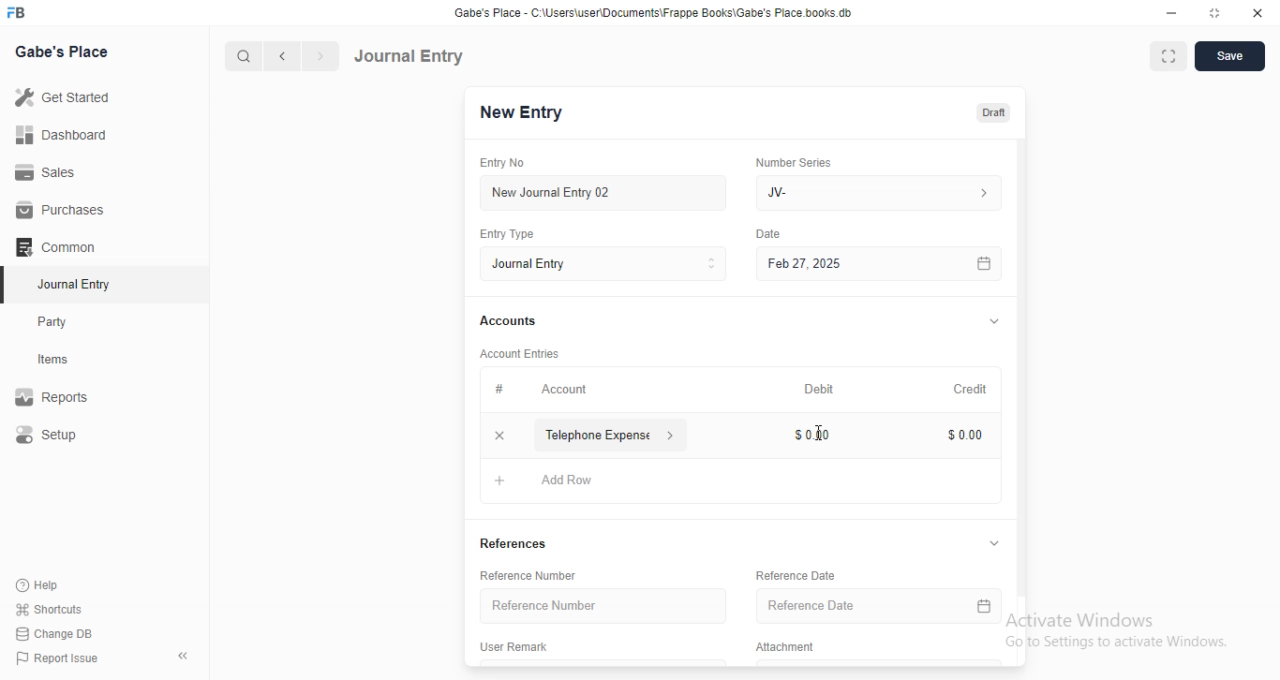  What do you see at coordinates (57, 246) in the screenshot?
I see `‘Common` at bounding box center [57, 246].